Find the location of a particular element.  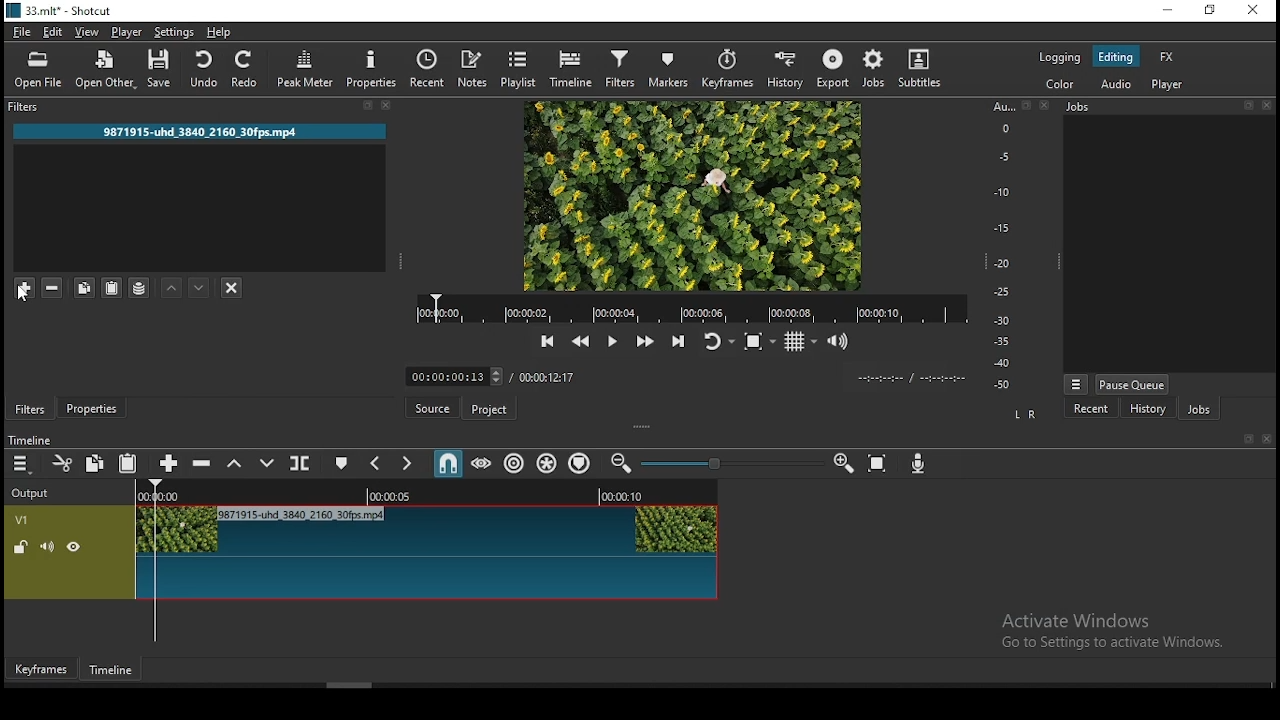

zoom slider is located at coordinates (731, 463).